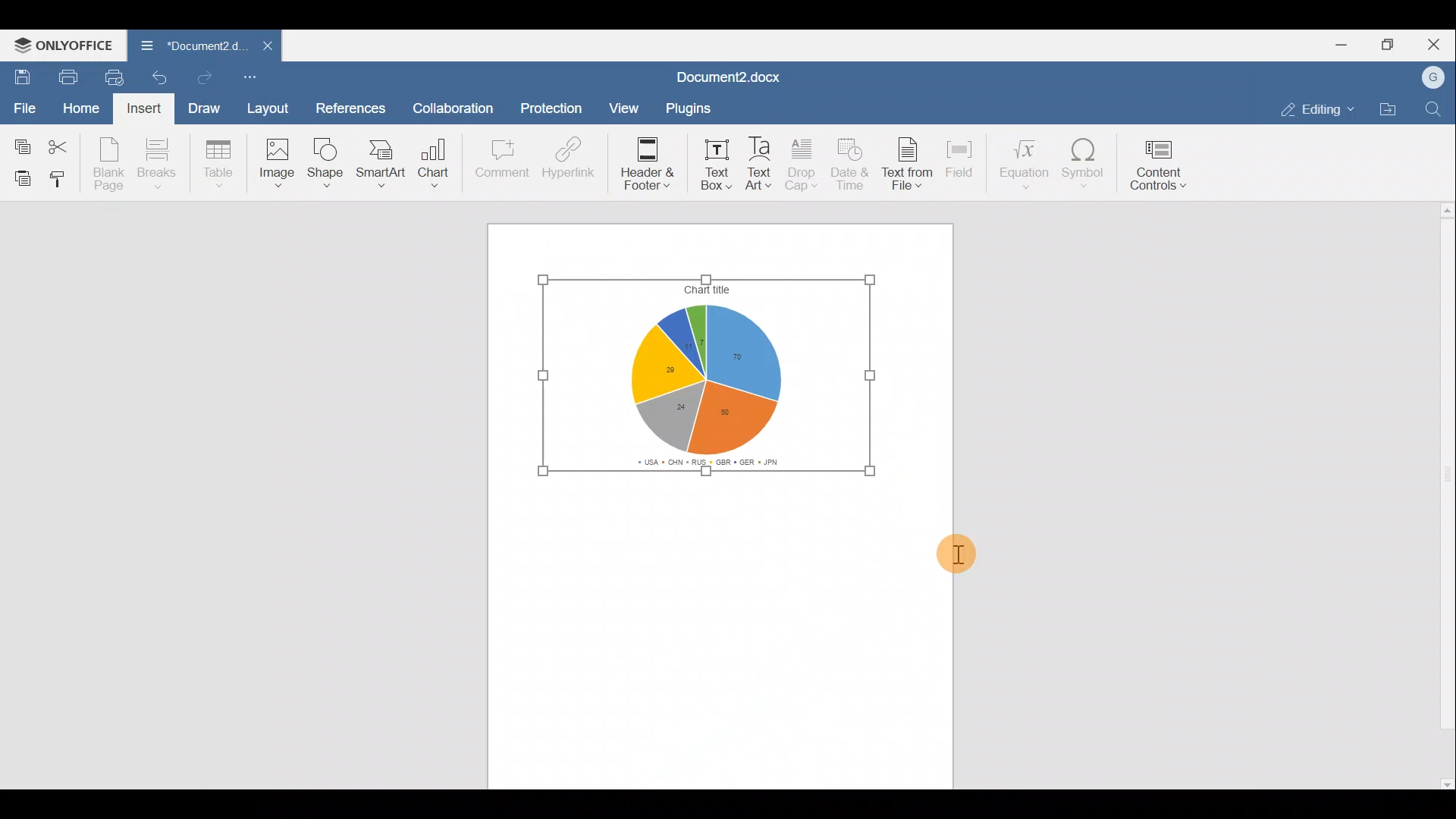  Describe the element at coordinates (499, 159) in the screenshot. I see `Comment` at that location.